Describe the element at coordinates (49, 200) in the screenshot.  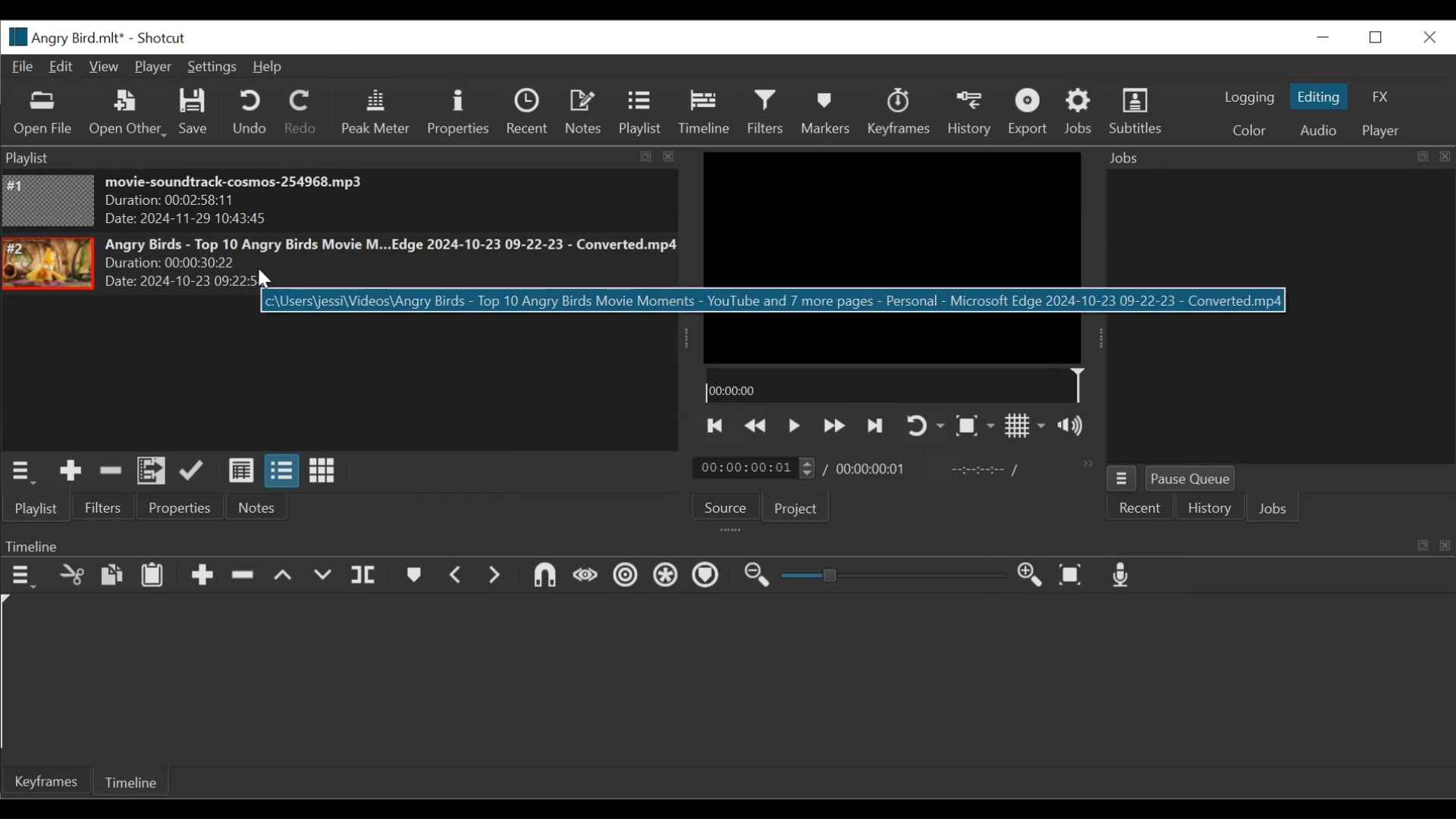
I see `Image` at that location.